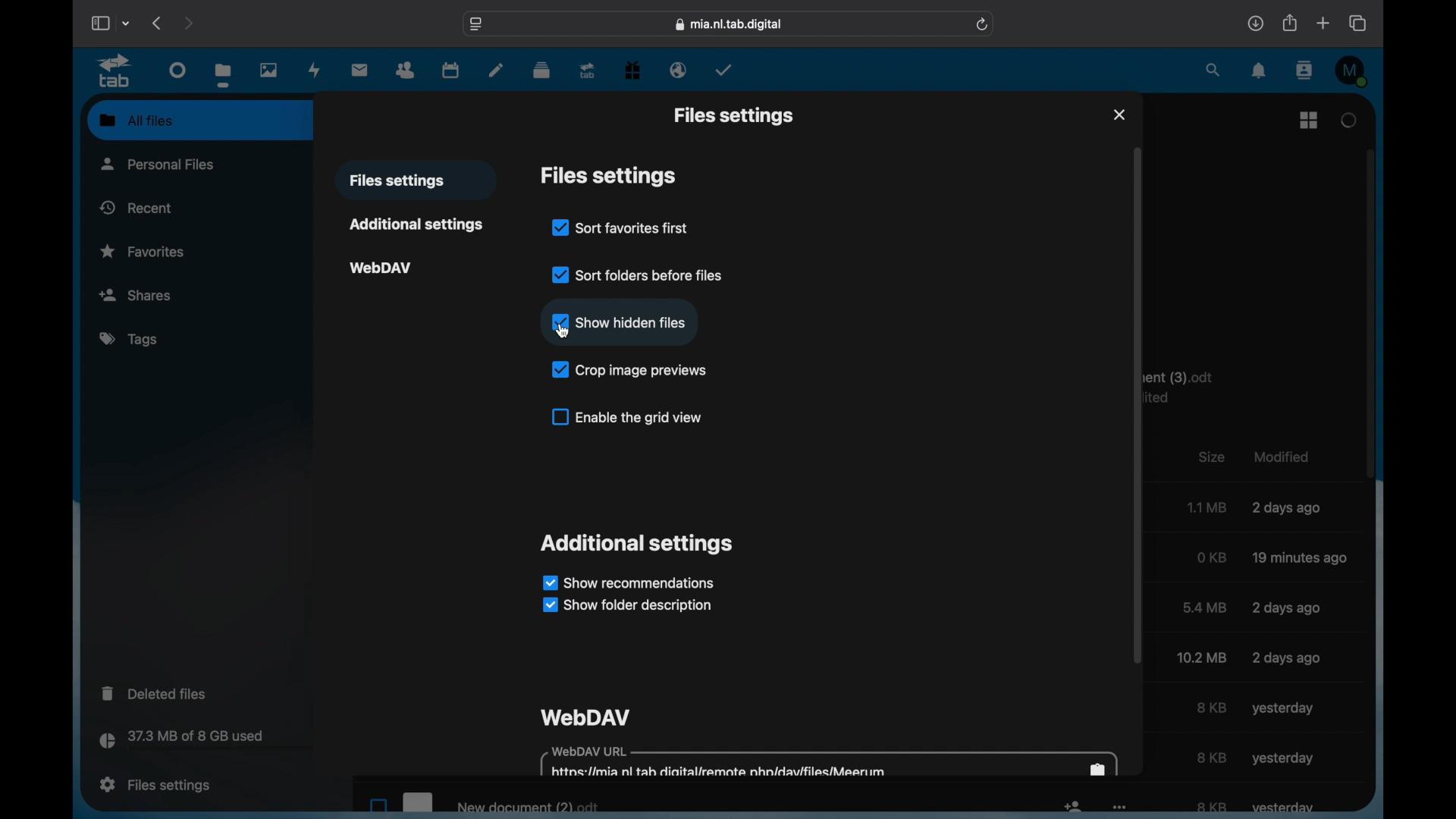 Image resolution: width=1456 pixels, height=819 pixels. I want to click on additional settings, so click(639, 544).